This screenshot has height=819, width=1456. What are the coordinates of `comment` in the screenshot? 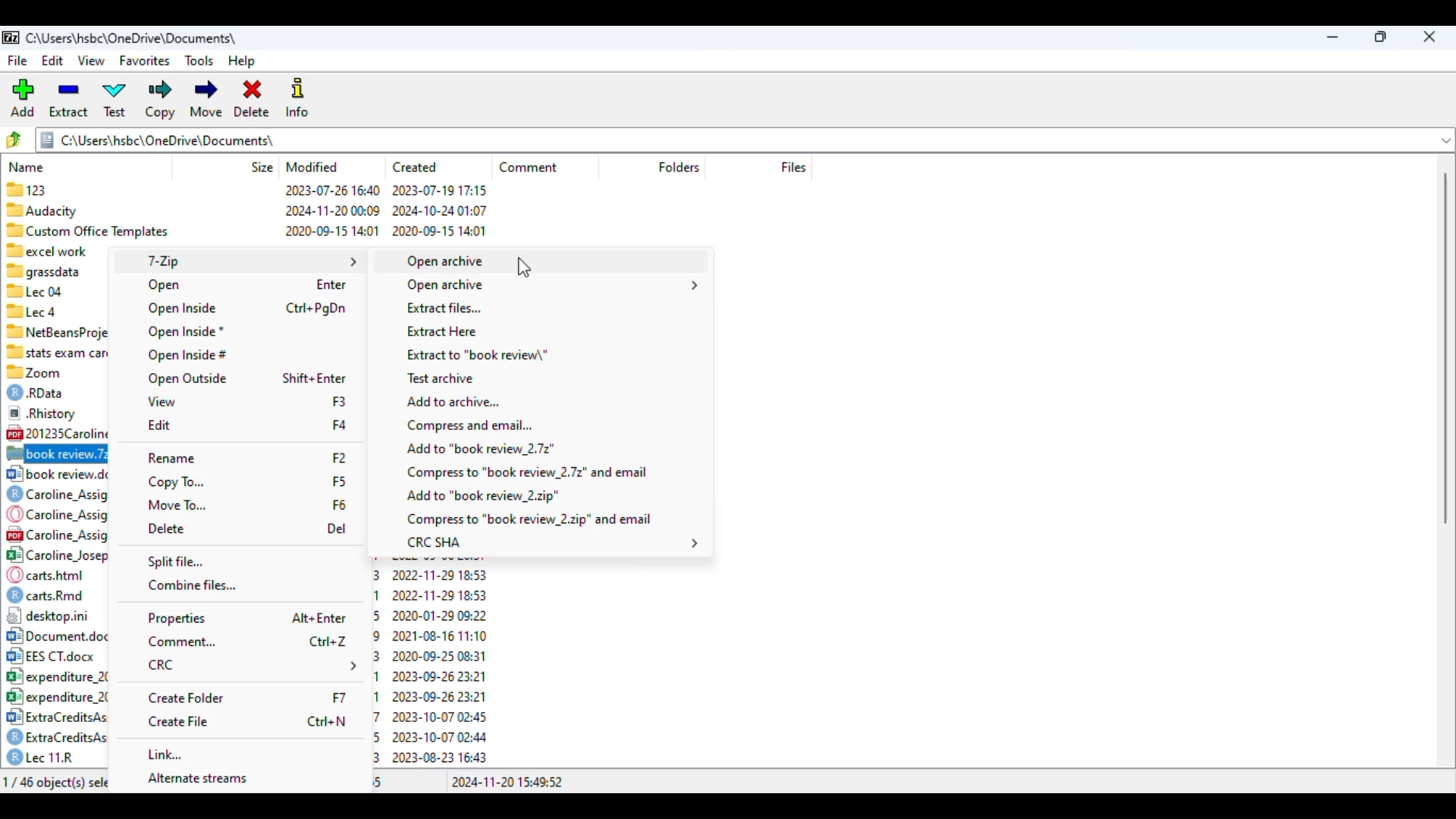 It's located at (182, 642).